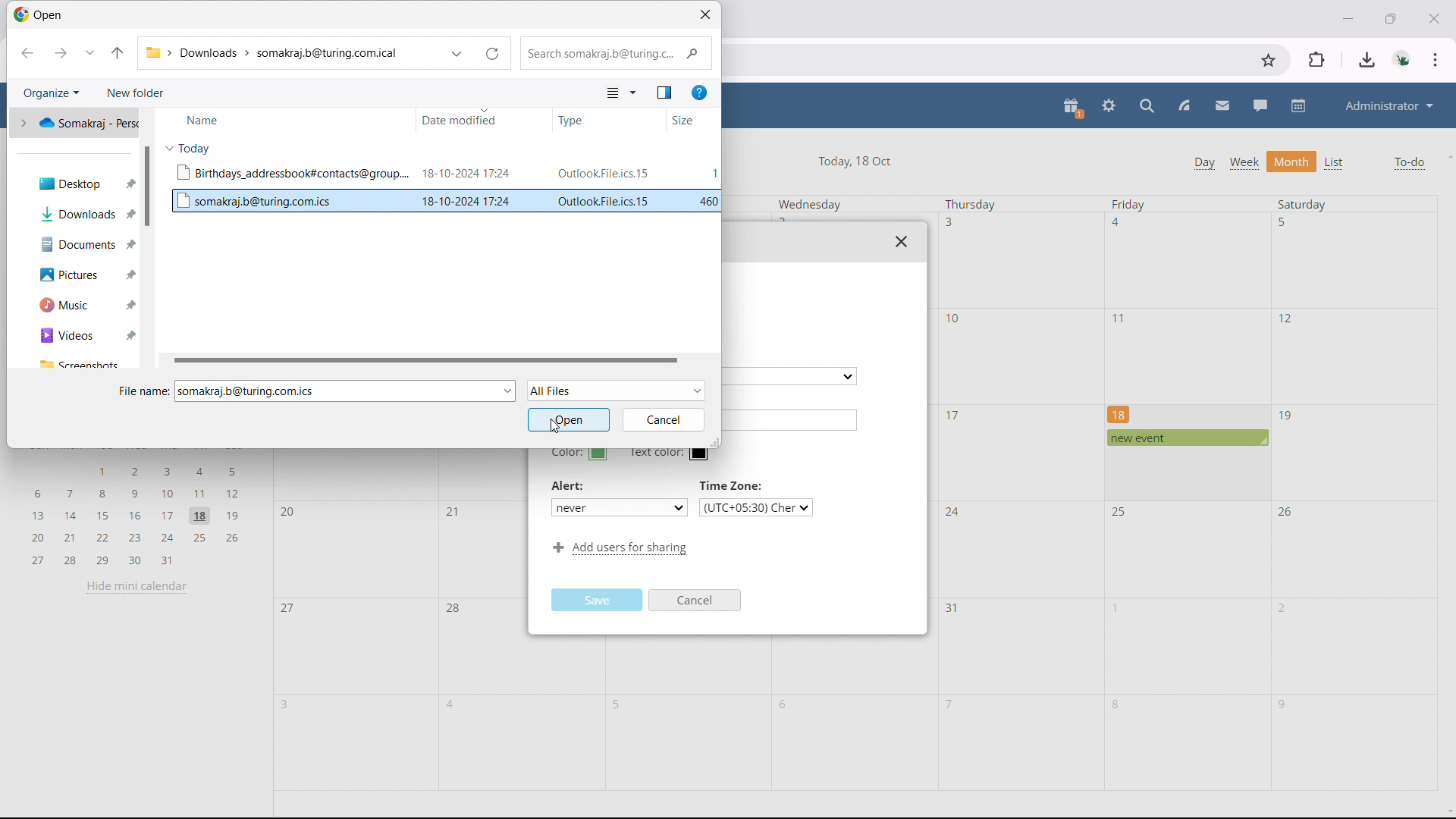 This screenshot has width=1456, height=819. I want to click on 10, so click(955, 318).